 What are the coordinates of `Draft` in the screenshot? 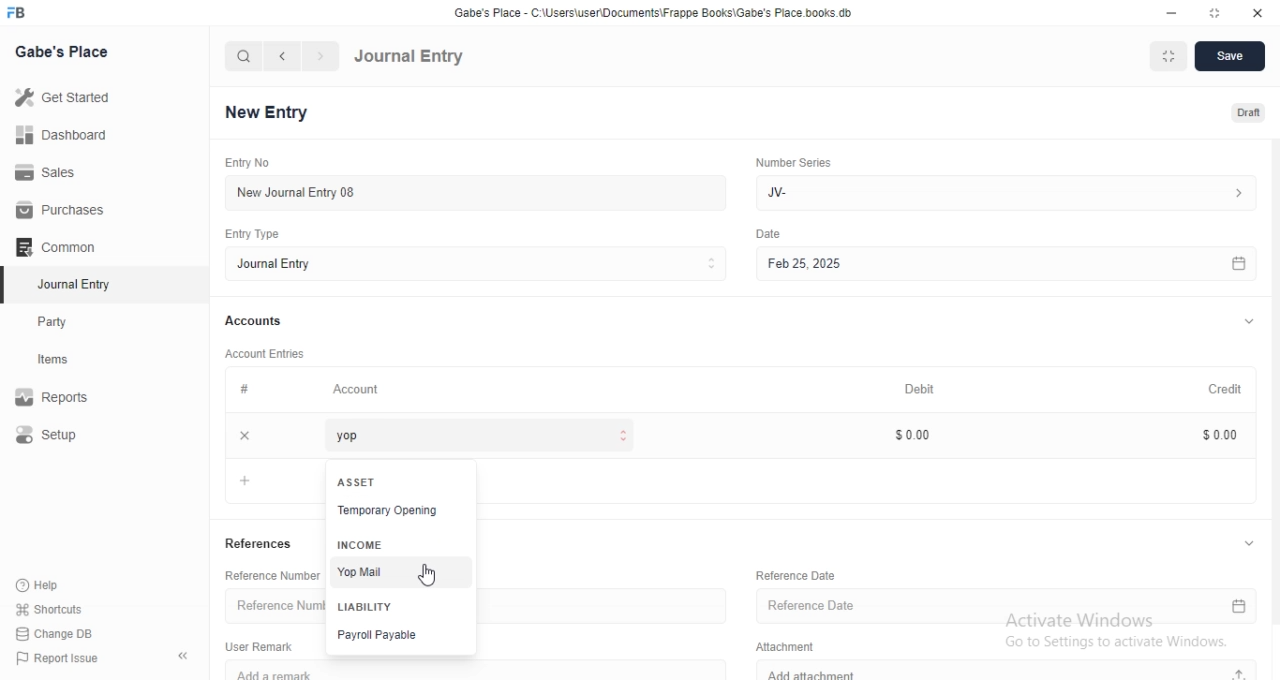 It's located at (1238, 111).